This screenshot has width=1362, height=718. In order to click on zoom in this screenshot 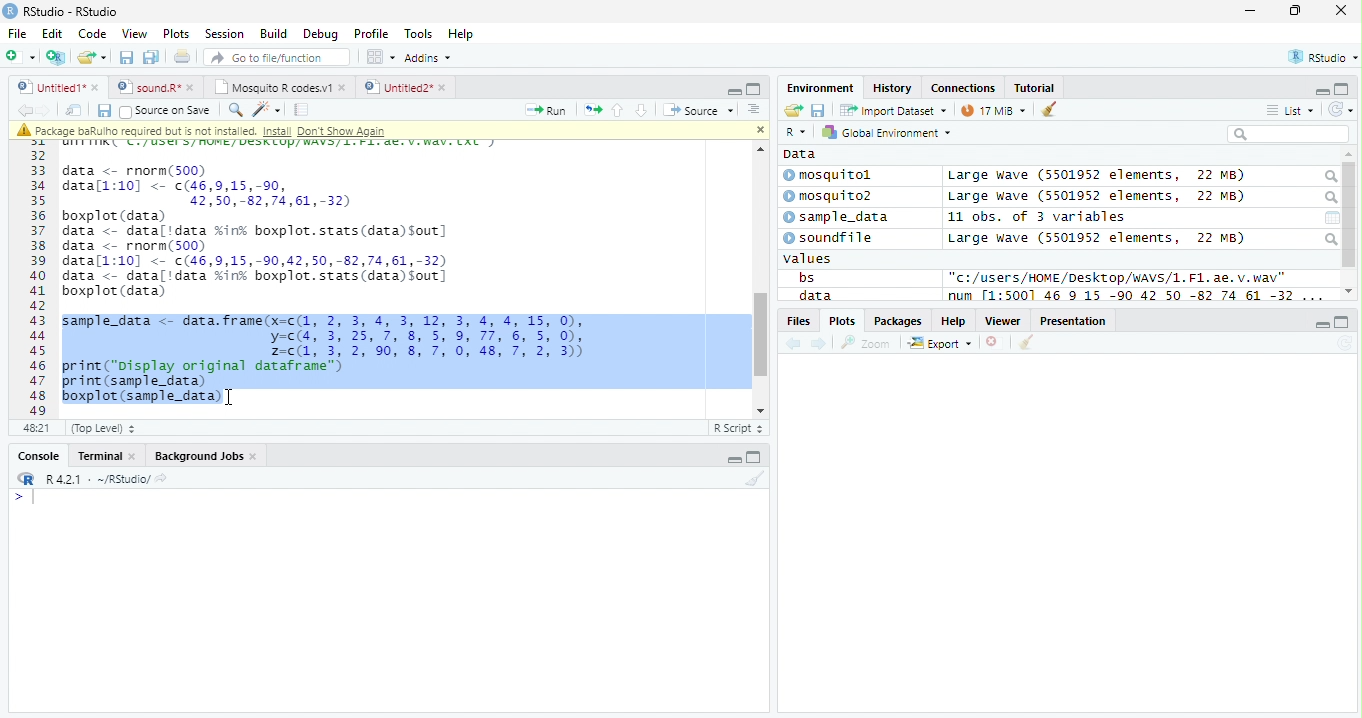, I will do `click(866, 342)`.